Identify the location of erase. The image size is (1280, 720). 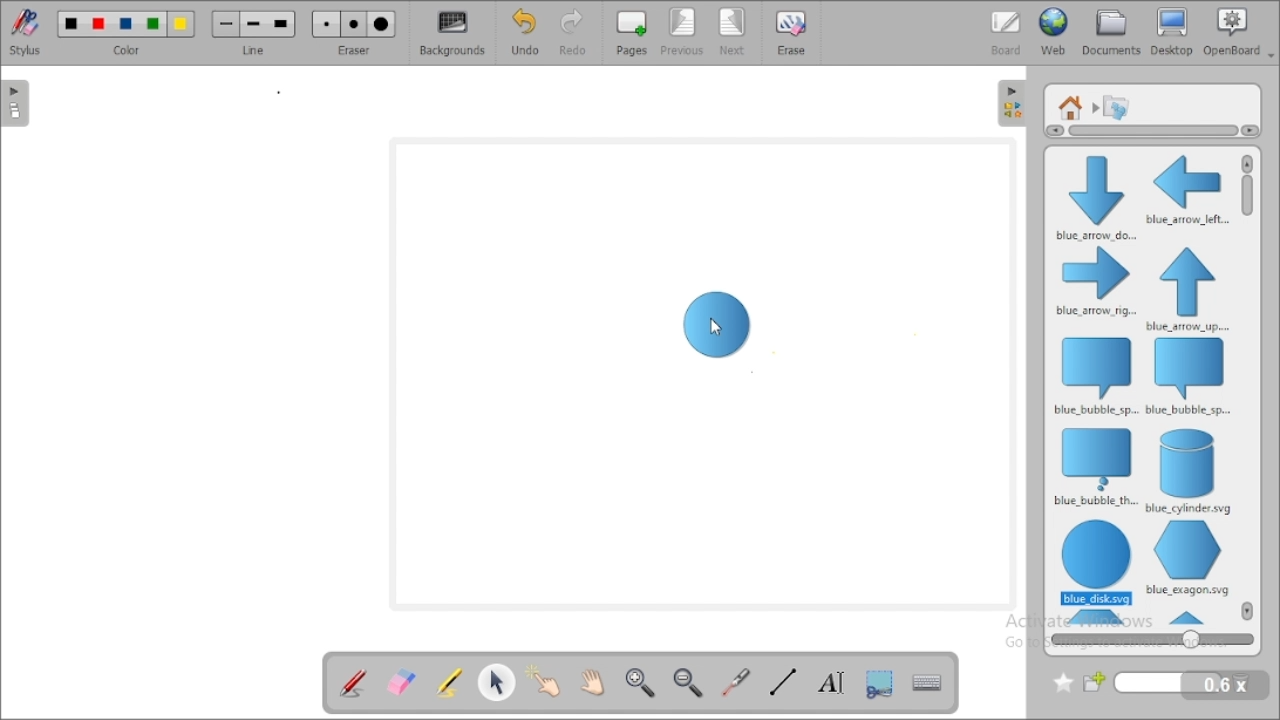
(792, 32).